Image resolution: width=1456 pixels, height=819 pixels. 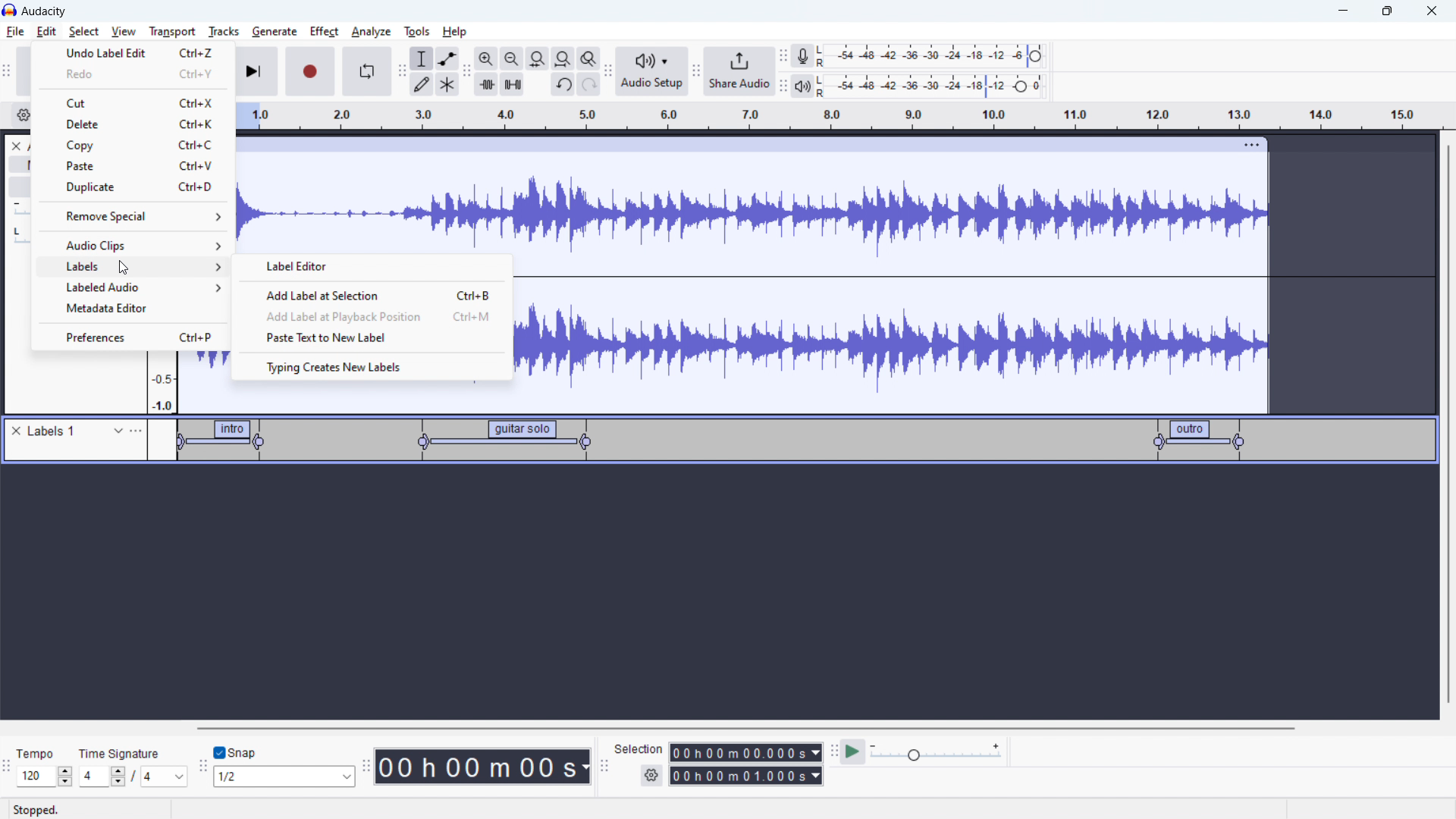 What do you see at coordinates (373, 366) in the screenshot?
I see `typing creates new labels` at bounding box center [373, 366].